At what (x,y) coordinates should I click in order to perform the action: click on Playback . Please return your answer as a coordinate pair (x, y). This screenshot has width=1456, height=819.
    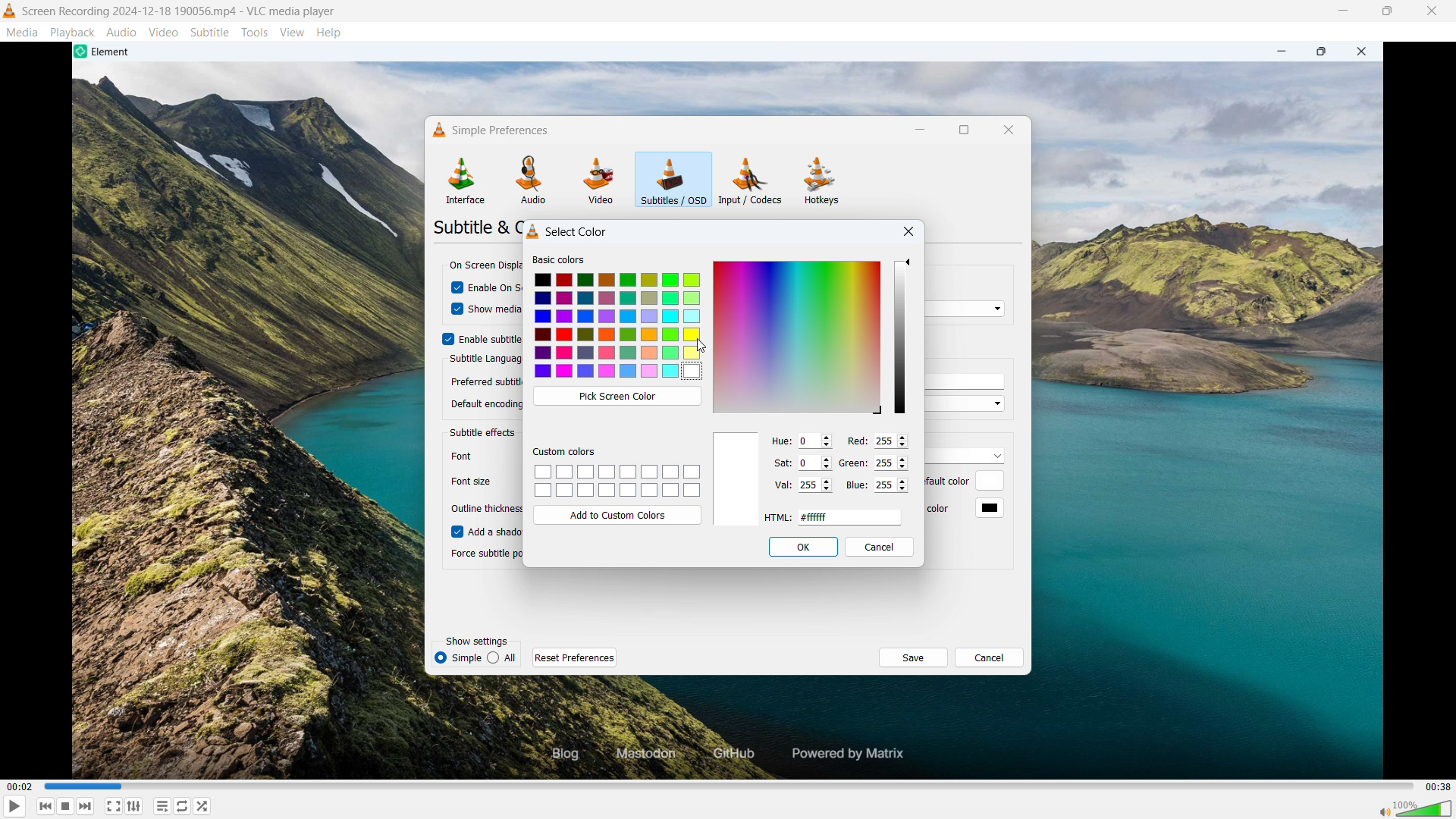
    Looking at the image, I should click on (73, 32).